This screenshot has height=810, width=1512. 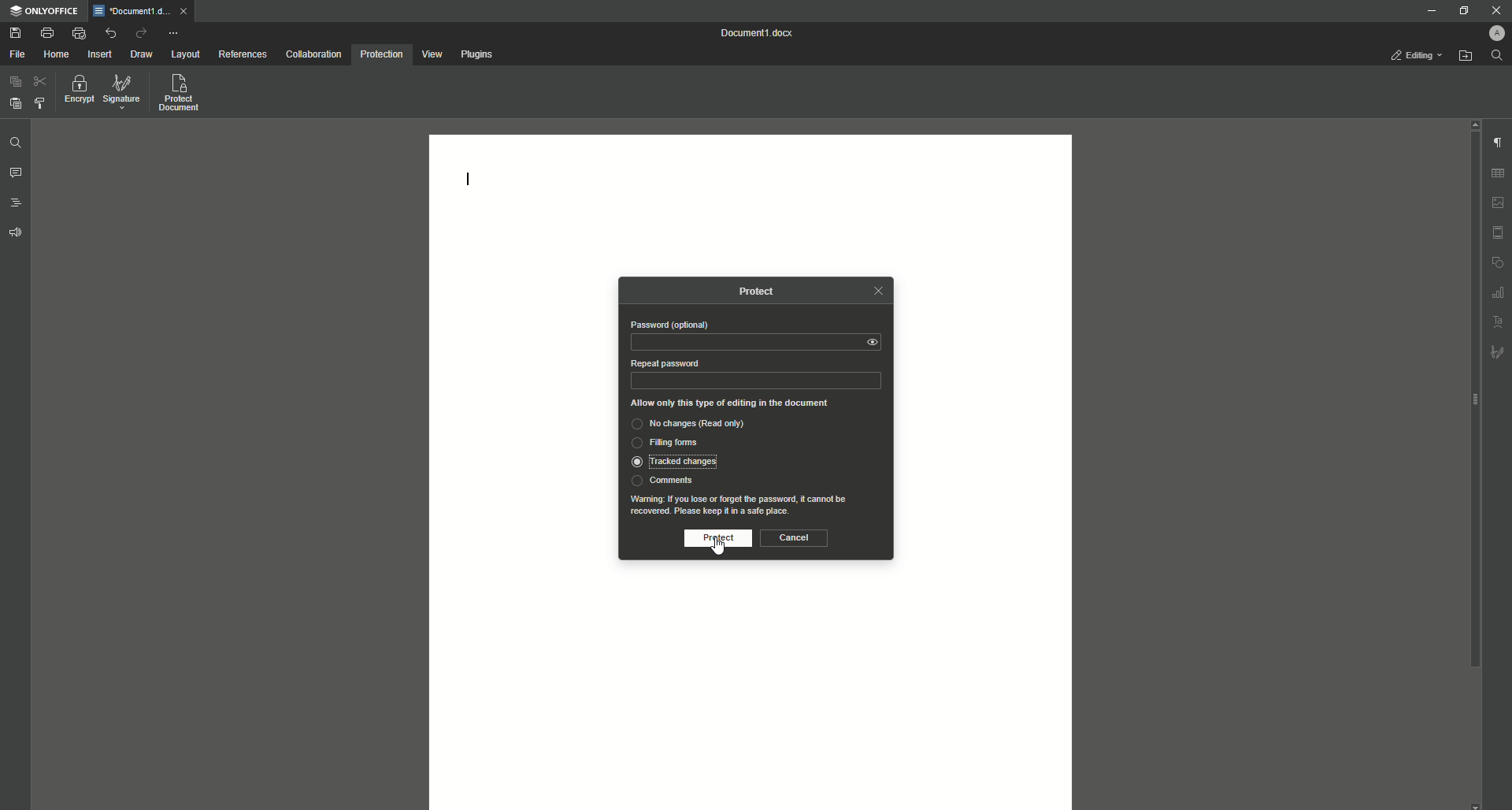 I want to click on Password, so click(x=743, y=343).